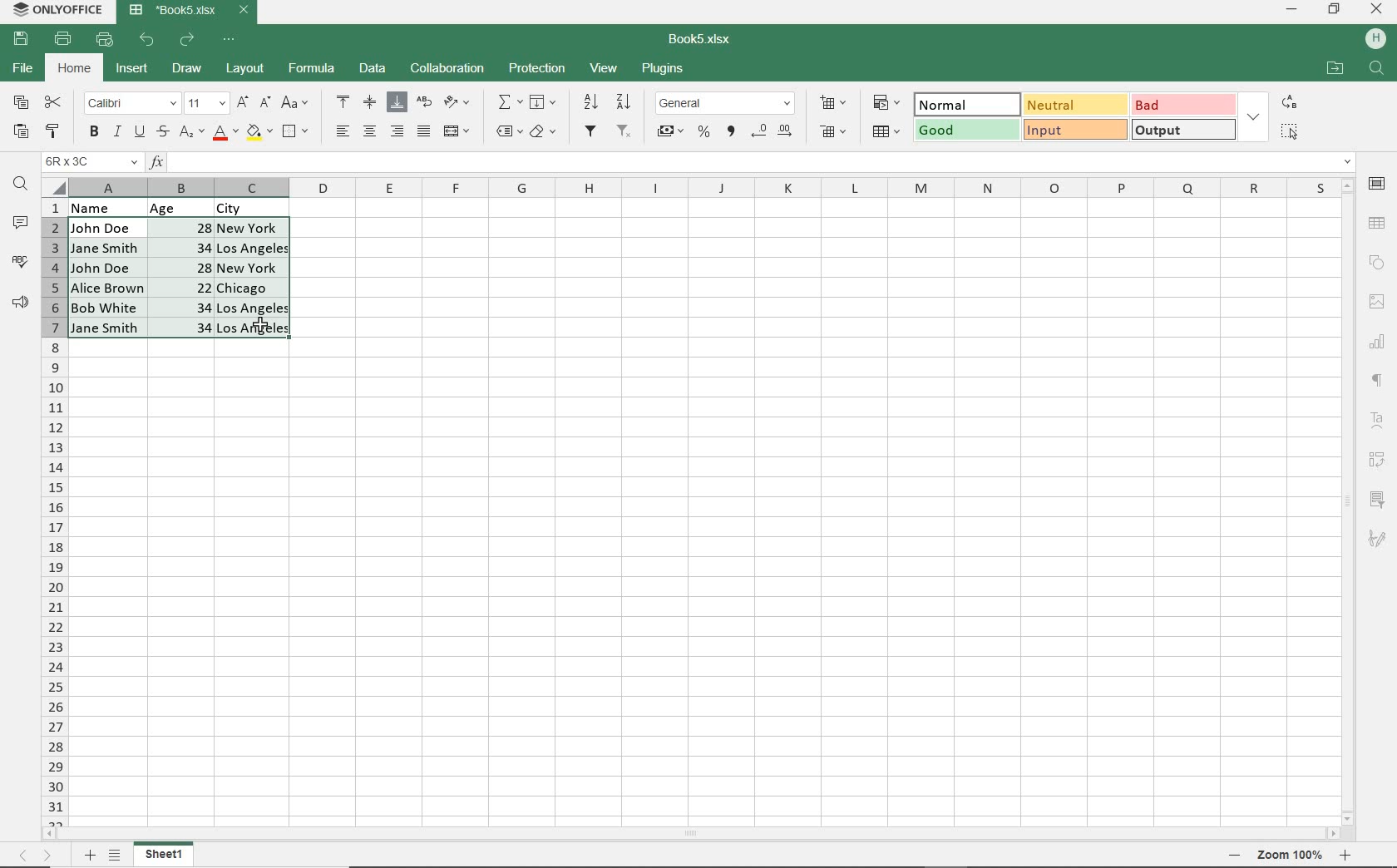  What do you see at coordinates (886, 102) in the screenshot?
I see `CONDITIONAL FORMATING` at bounding box center [886, 102].